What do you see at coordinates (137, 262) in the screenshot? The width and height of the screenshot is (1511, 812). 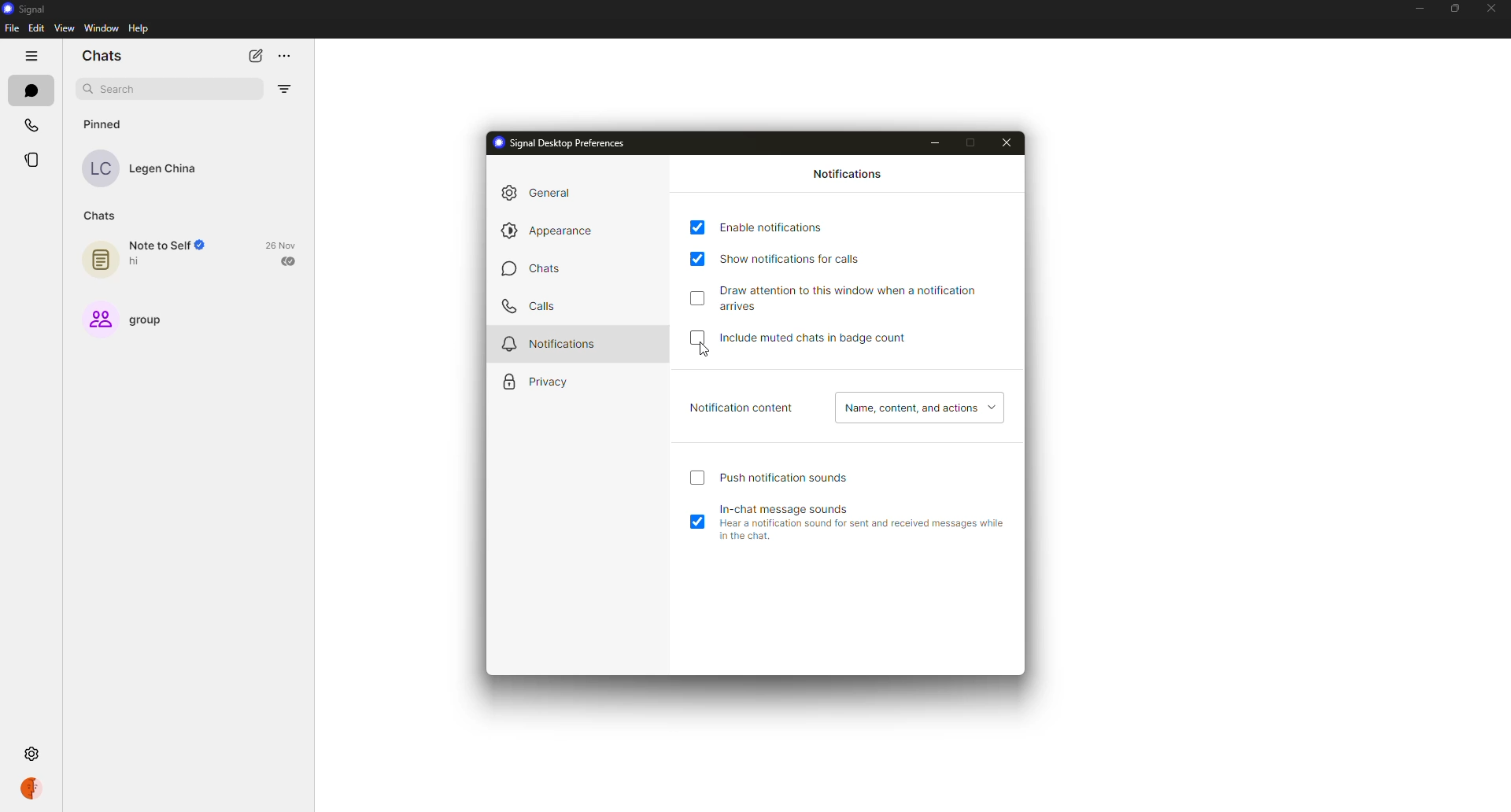 I see `hi` at bounding box center [137, 262].